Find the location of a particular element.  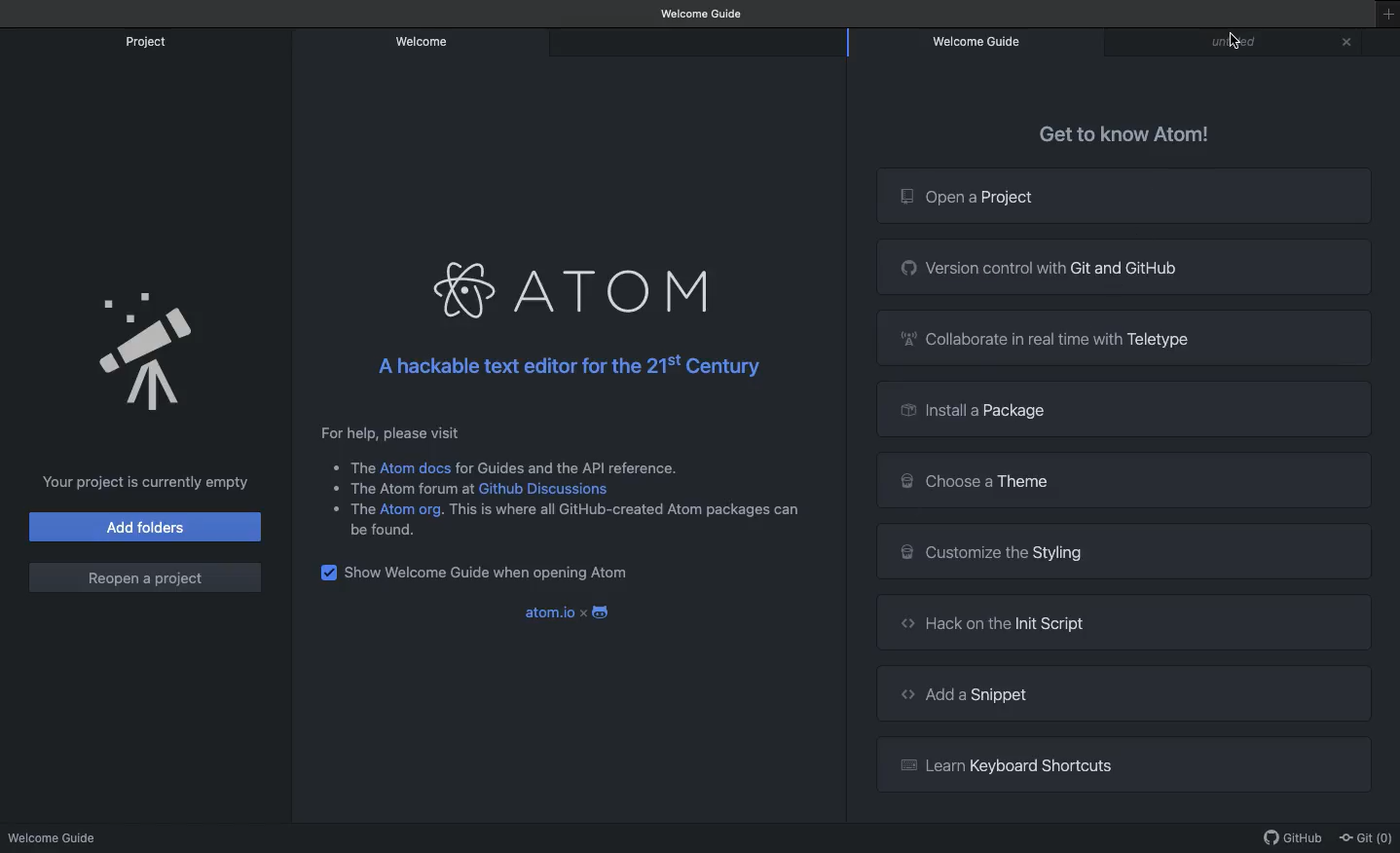

Instructional text is located at coordinates (571, 429).